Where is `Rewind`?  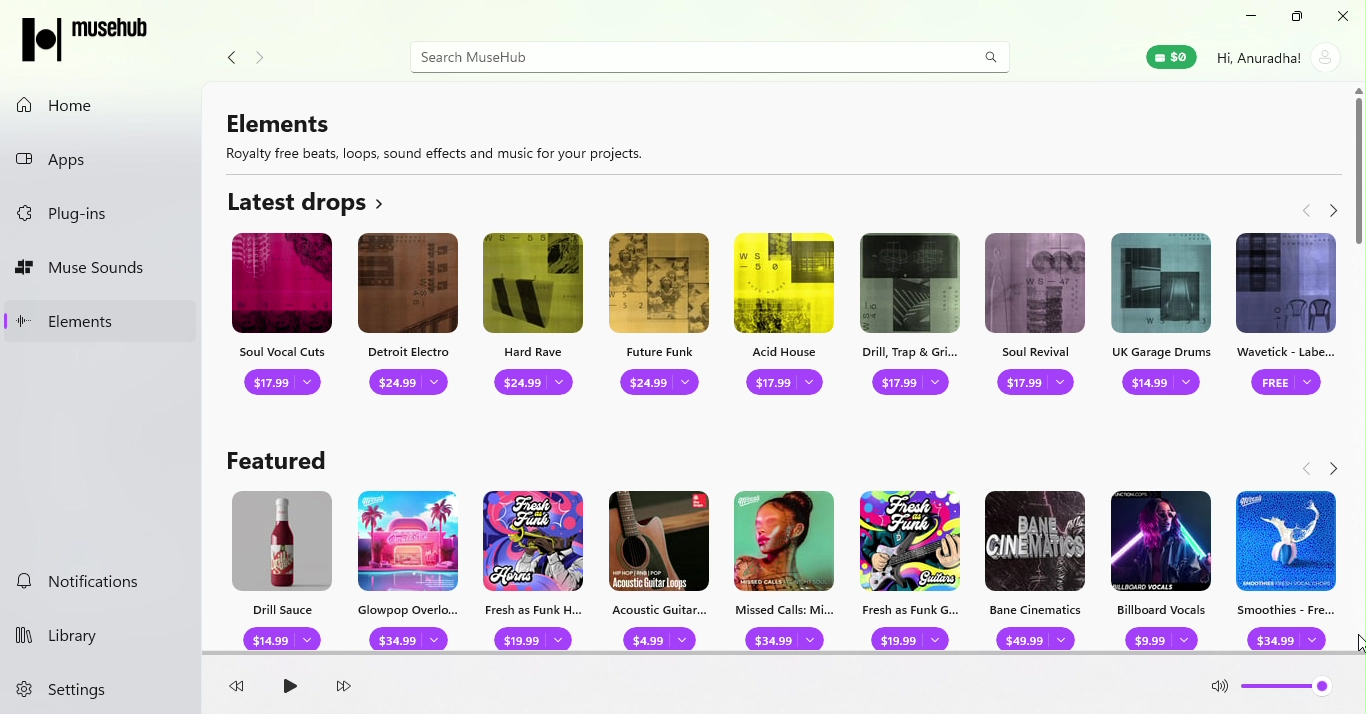
Rewind is located at coordinates (242, 689).